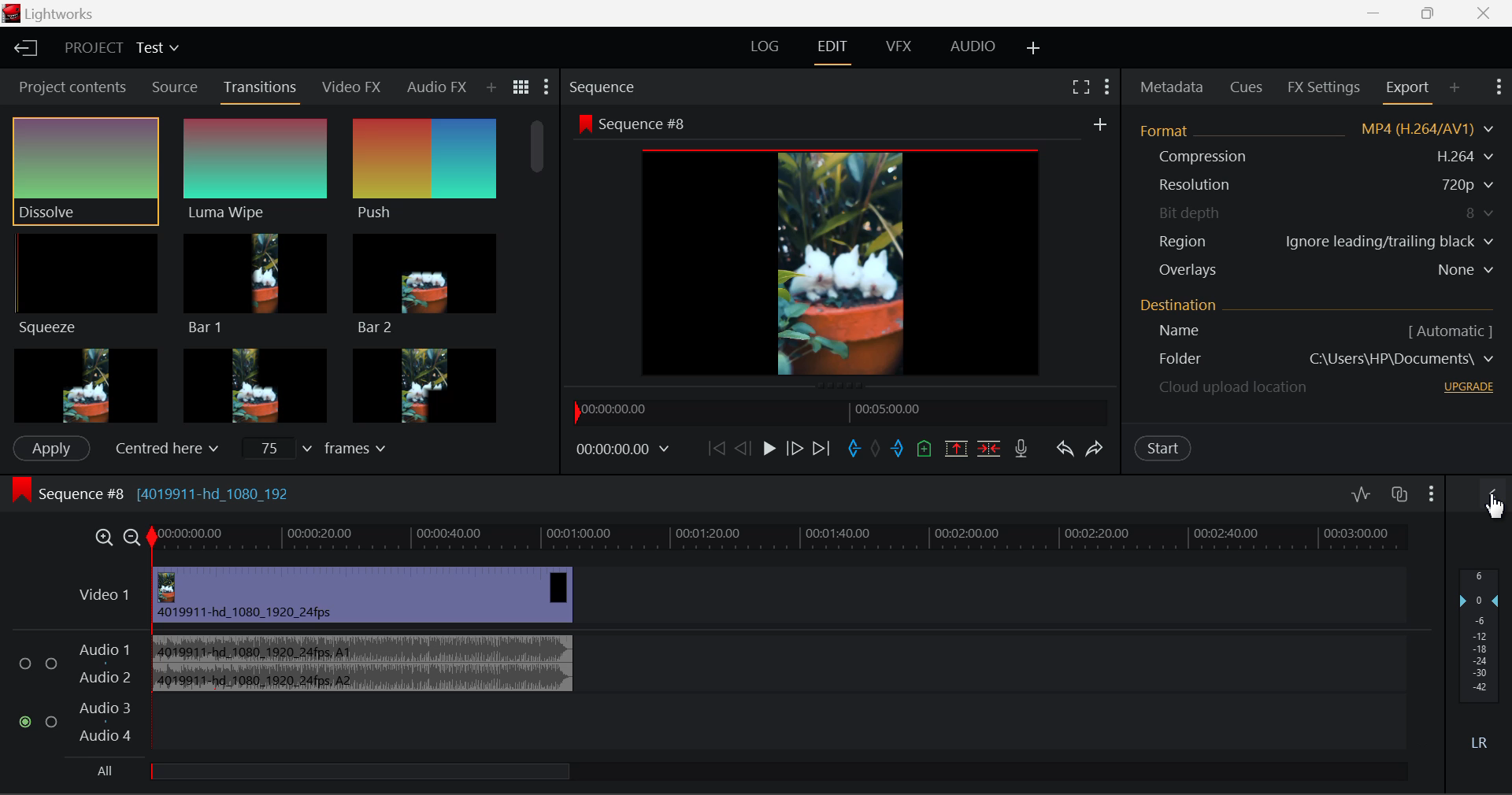 This screenshot has height=795, width=1512. What do you see at coordinates (1021, 448) in the screenshot?
I see `Record Voiceover` at bounding box center [1021, 448].